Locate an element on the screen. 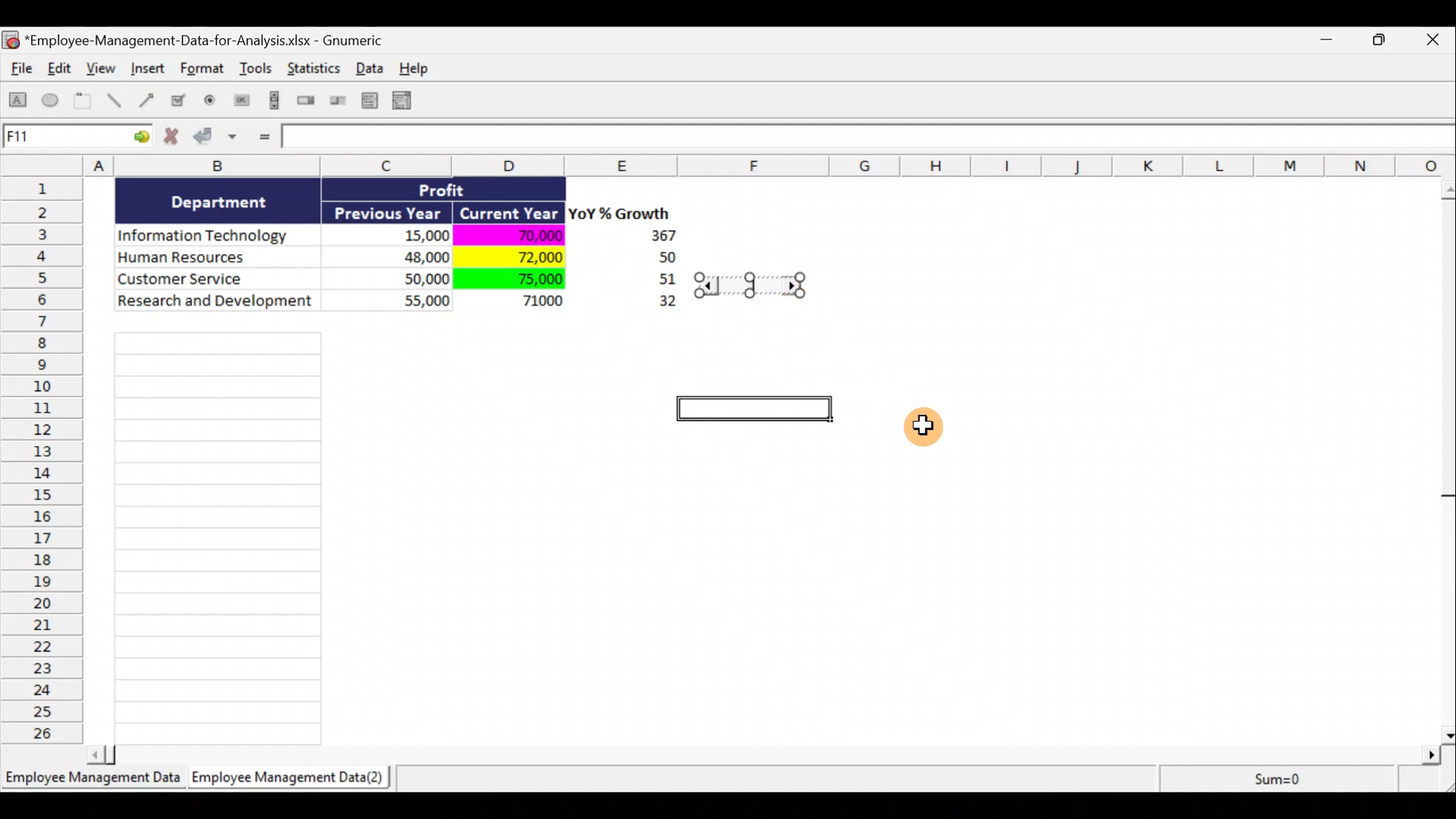 This screenshot has height=819, width=1456. Create a spin button is located at coordinates (307, 102).